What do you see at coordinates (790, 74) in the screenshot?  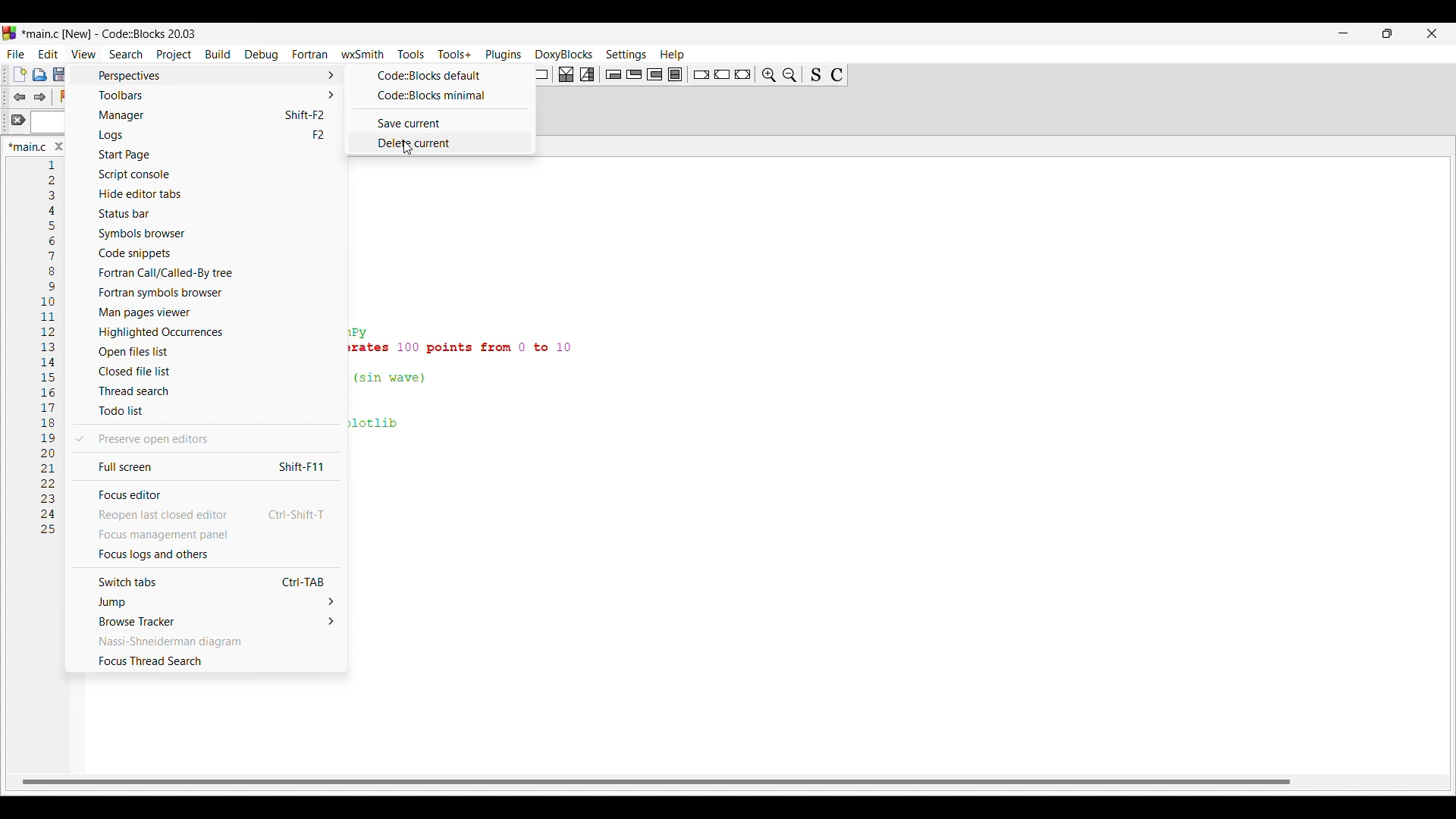 I see `Zoom out` at bounding box center [790, 74].